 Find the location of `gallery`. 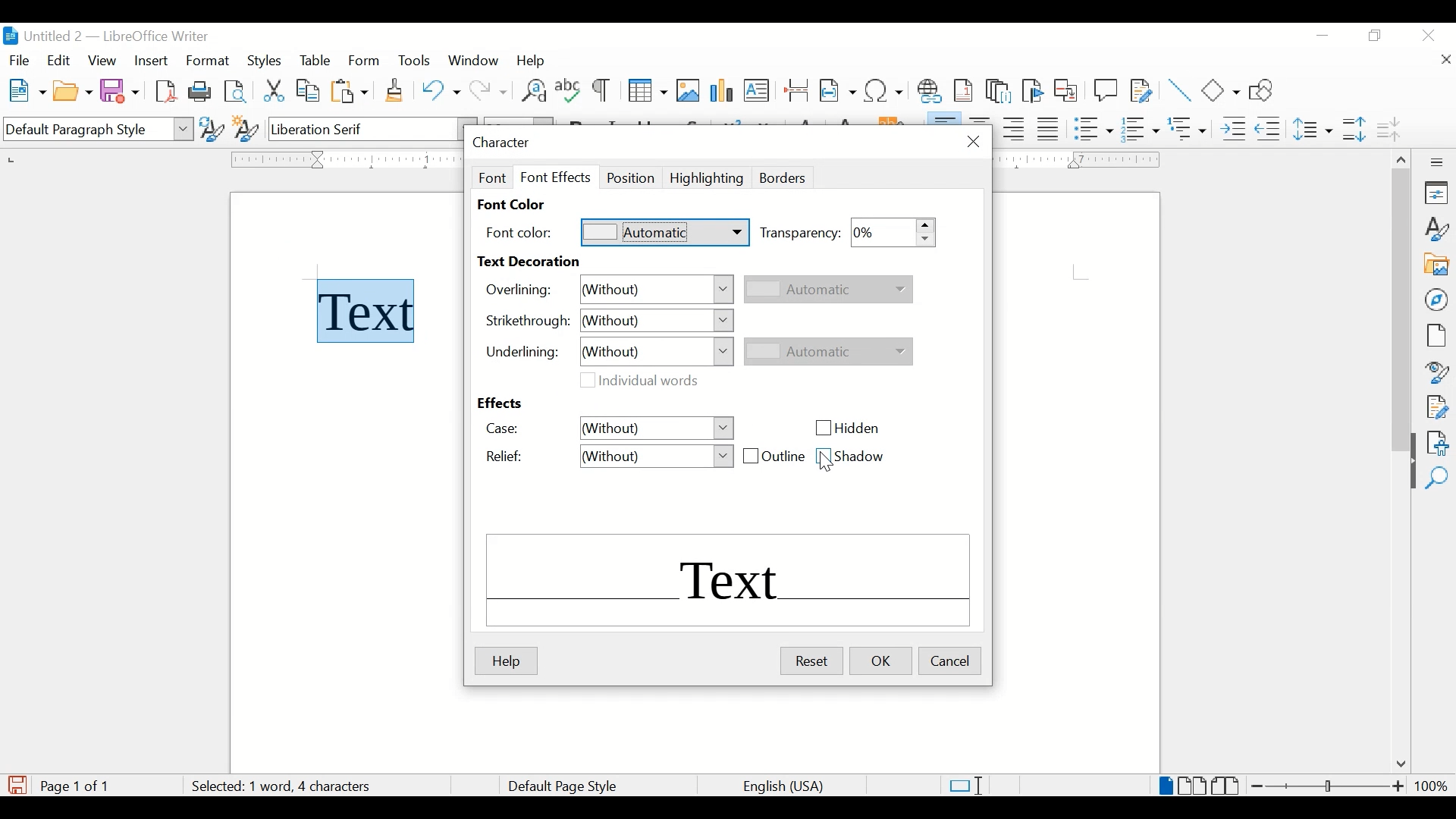

gallery is located at coordinates (1437, 265).